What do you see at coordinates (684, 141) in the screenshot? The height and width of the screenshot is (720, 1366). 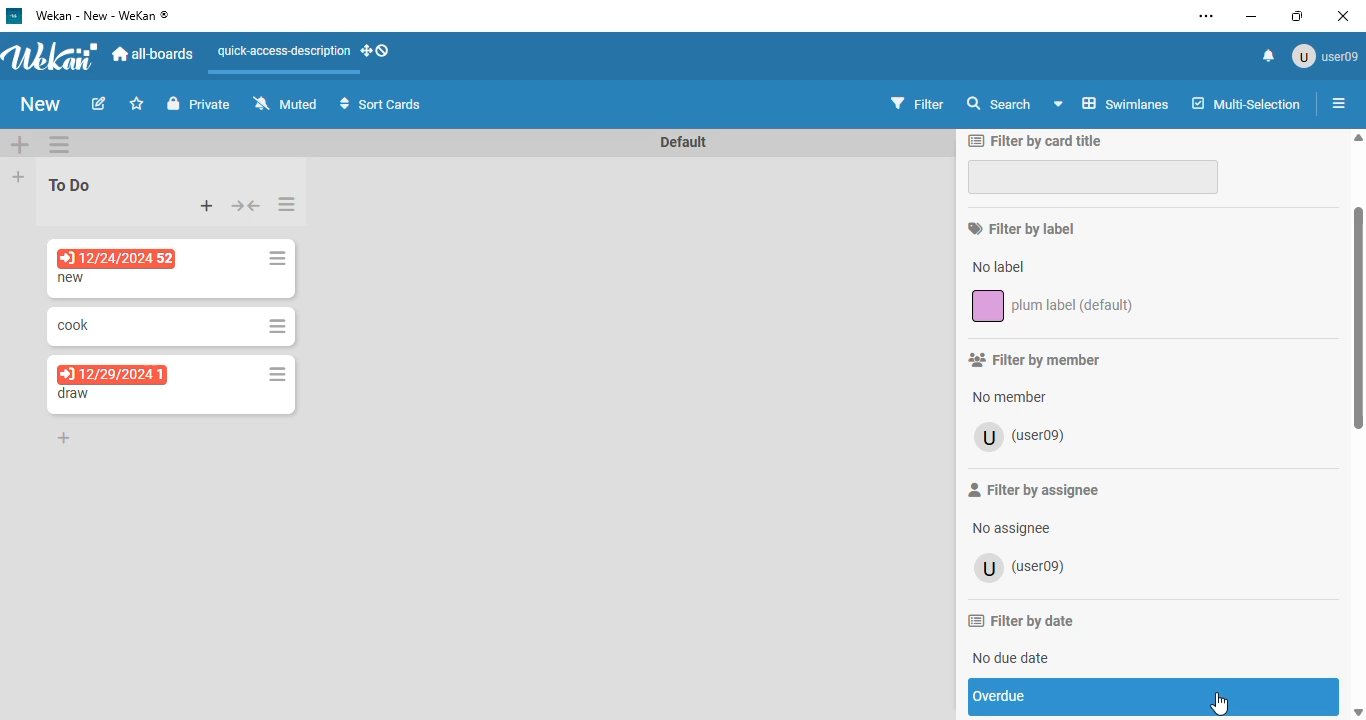 I see `Default` at bounding box center [684, 141].